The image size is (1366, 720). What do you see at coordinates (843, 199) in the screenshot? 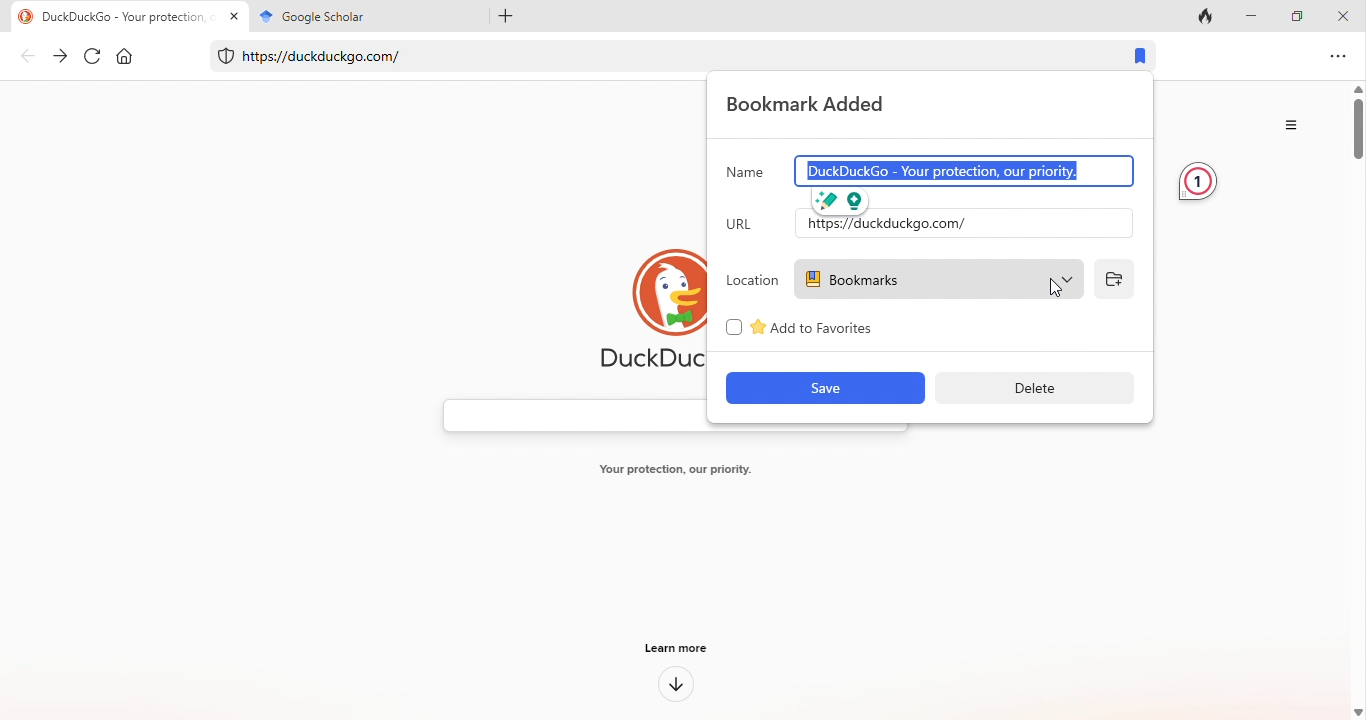
I see `grammarly` at bounding box center [843, 199].